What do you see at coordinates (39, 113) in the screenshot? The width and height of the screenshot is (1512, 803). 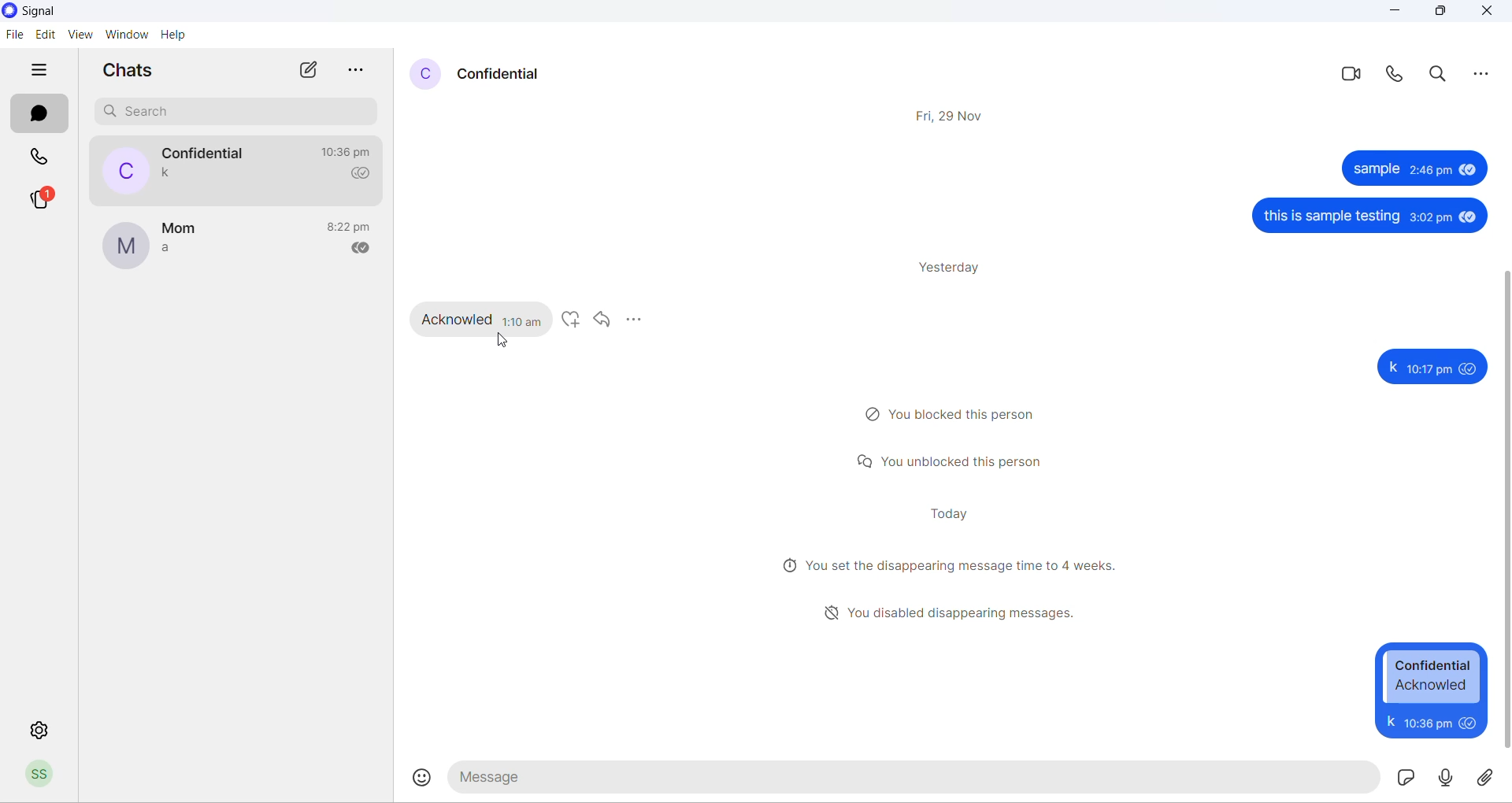 I see `chats` at bounding box center [39, 113].